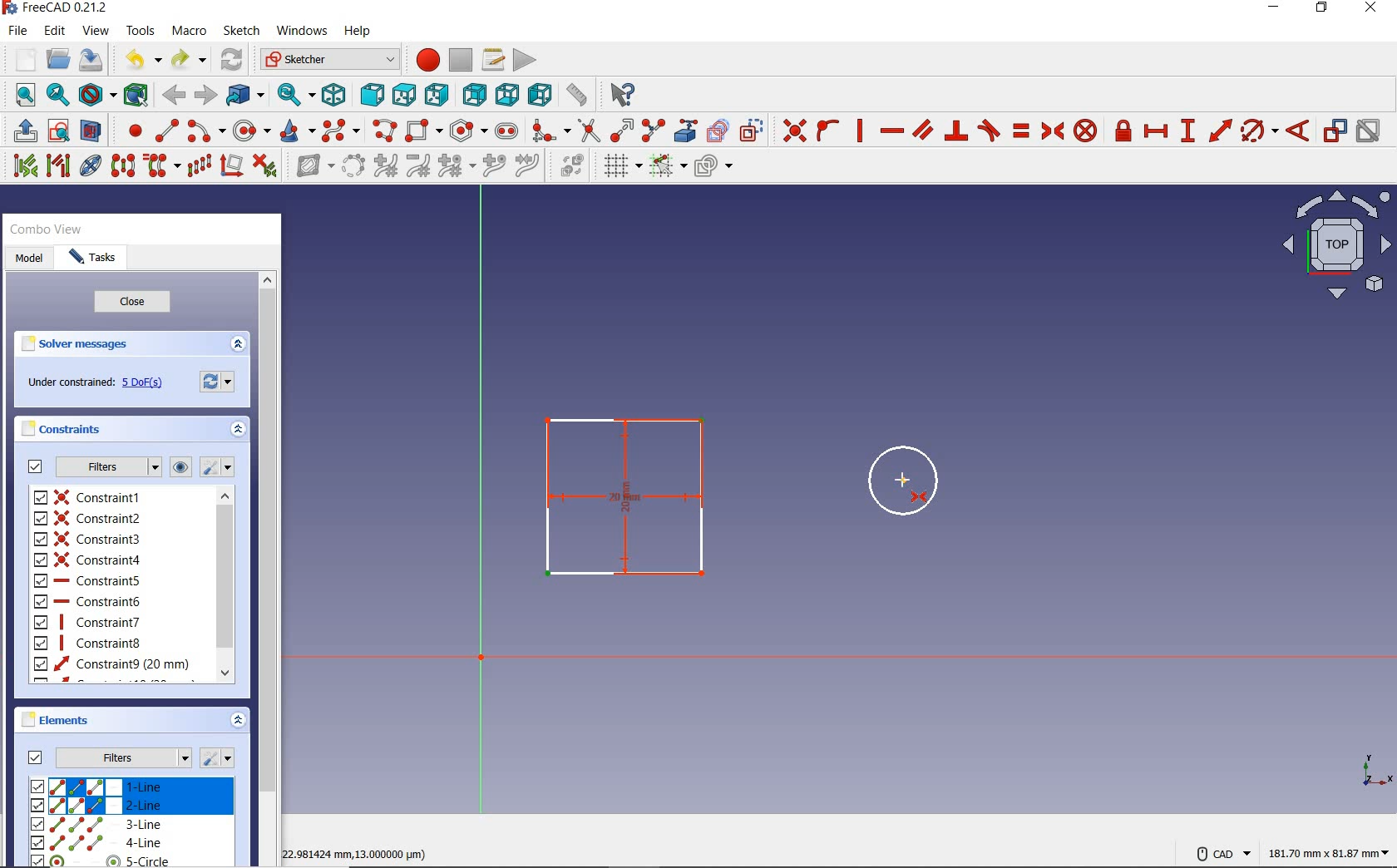 The image size is (1397, 868). I want to click on isometric, so click(334, 96).